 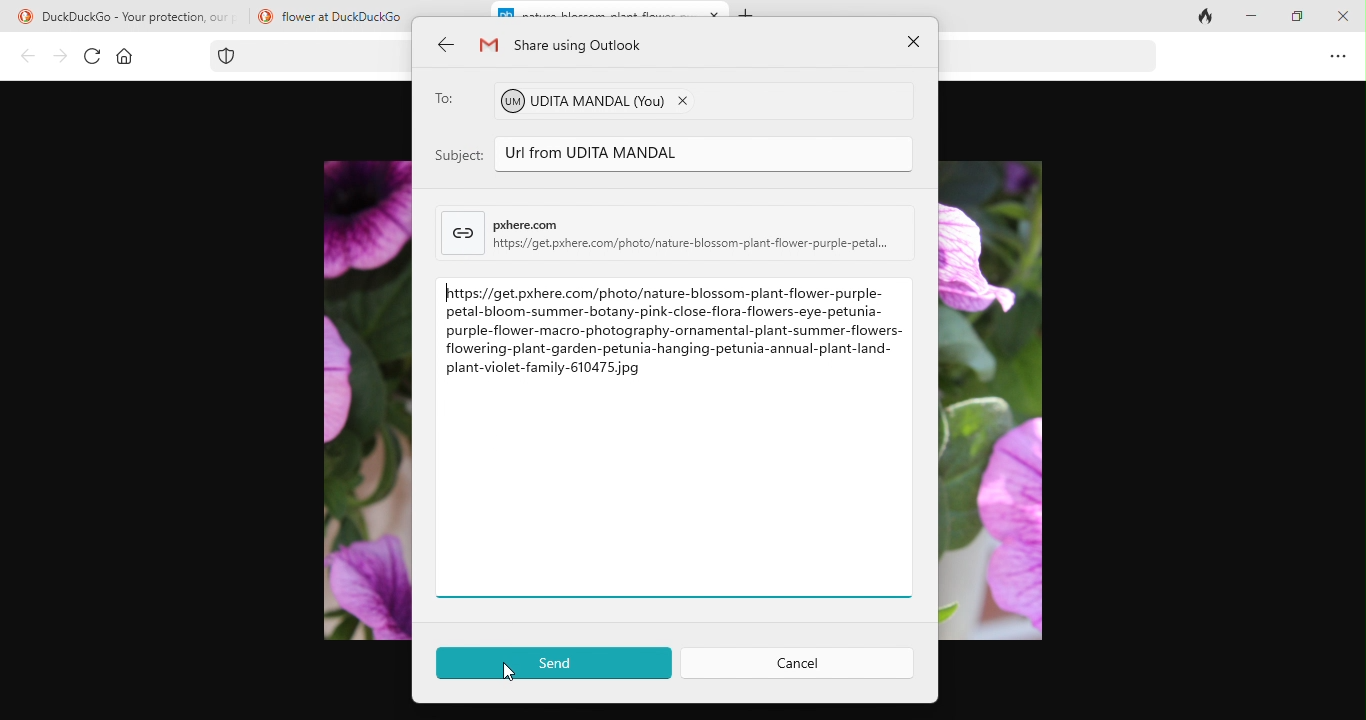 What do you see at coordinates (1339, 58) in the screenshot?
I see `option` at bounding box center [1339, 58].